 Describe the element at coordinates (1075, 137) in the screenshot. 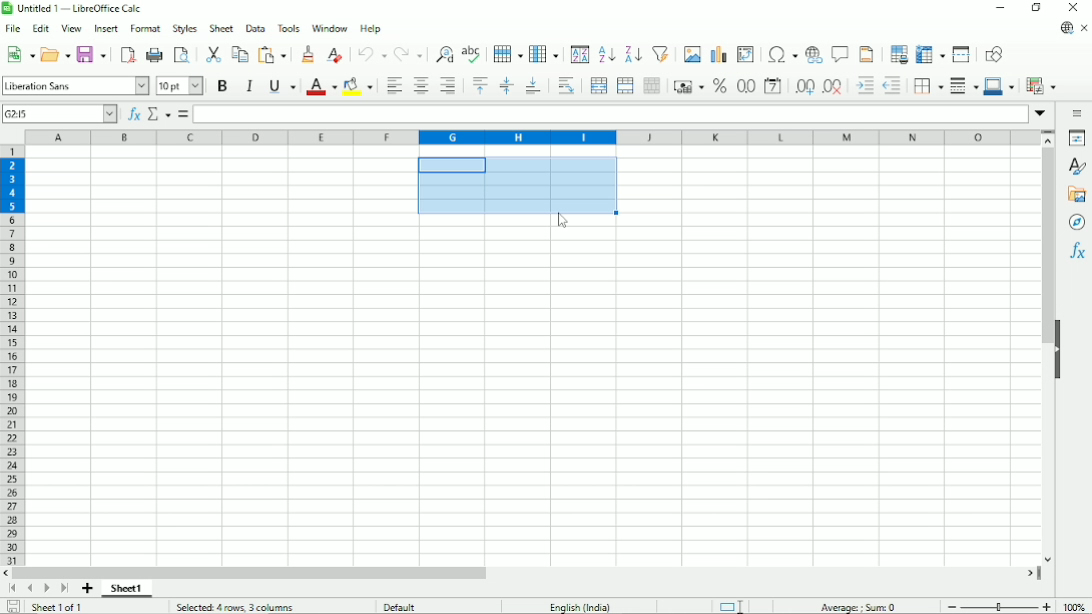

I see `Properties` at that location.